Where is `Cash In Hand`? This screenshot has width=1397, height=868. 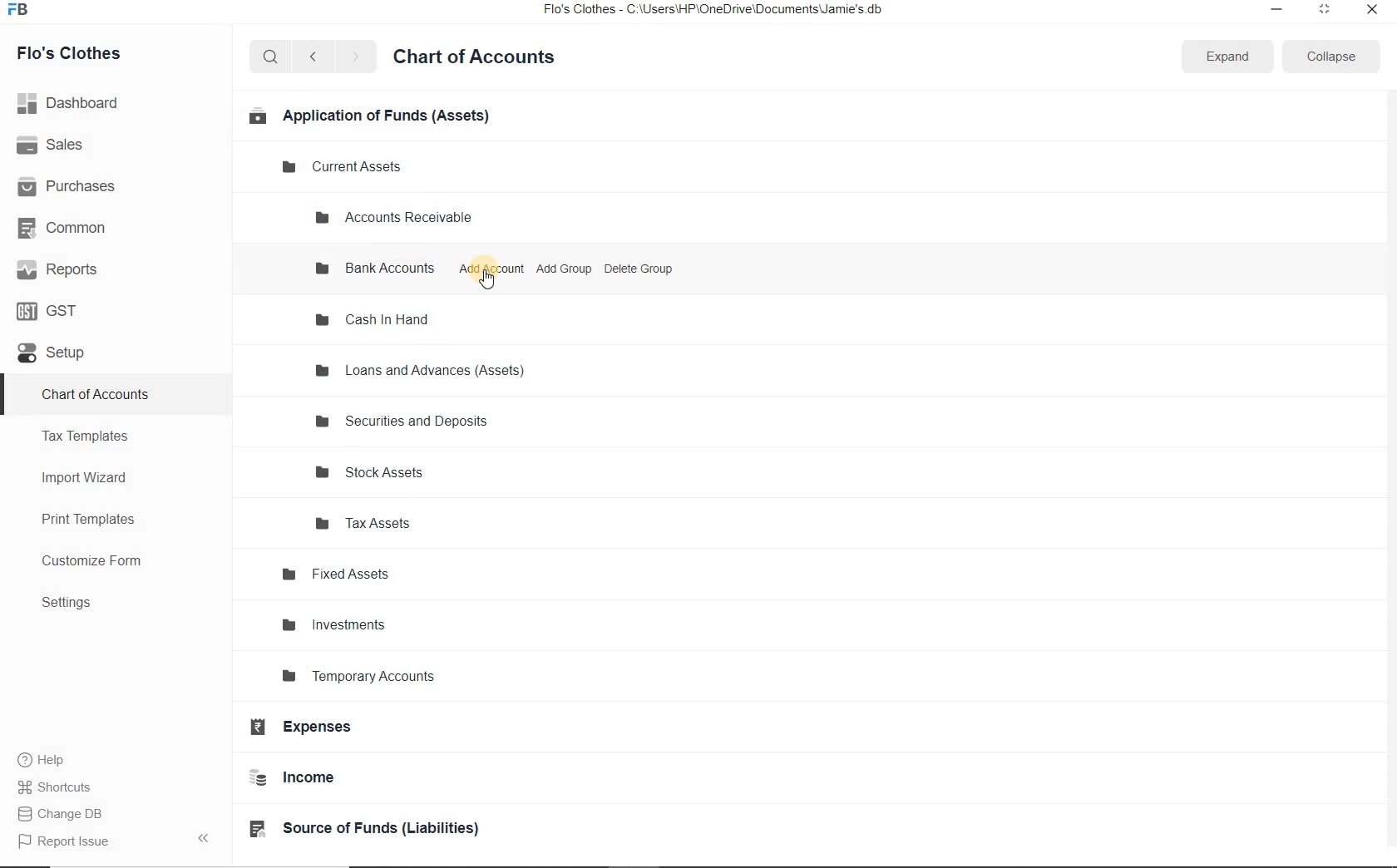
Cash In Hand is located at coordinates (380, 319).